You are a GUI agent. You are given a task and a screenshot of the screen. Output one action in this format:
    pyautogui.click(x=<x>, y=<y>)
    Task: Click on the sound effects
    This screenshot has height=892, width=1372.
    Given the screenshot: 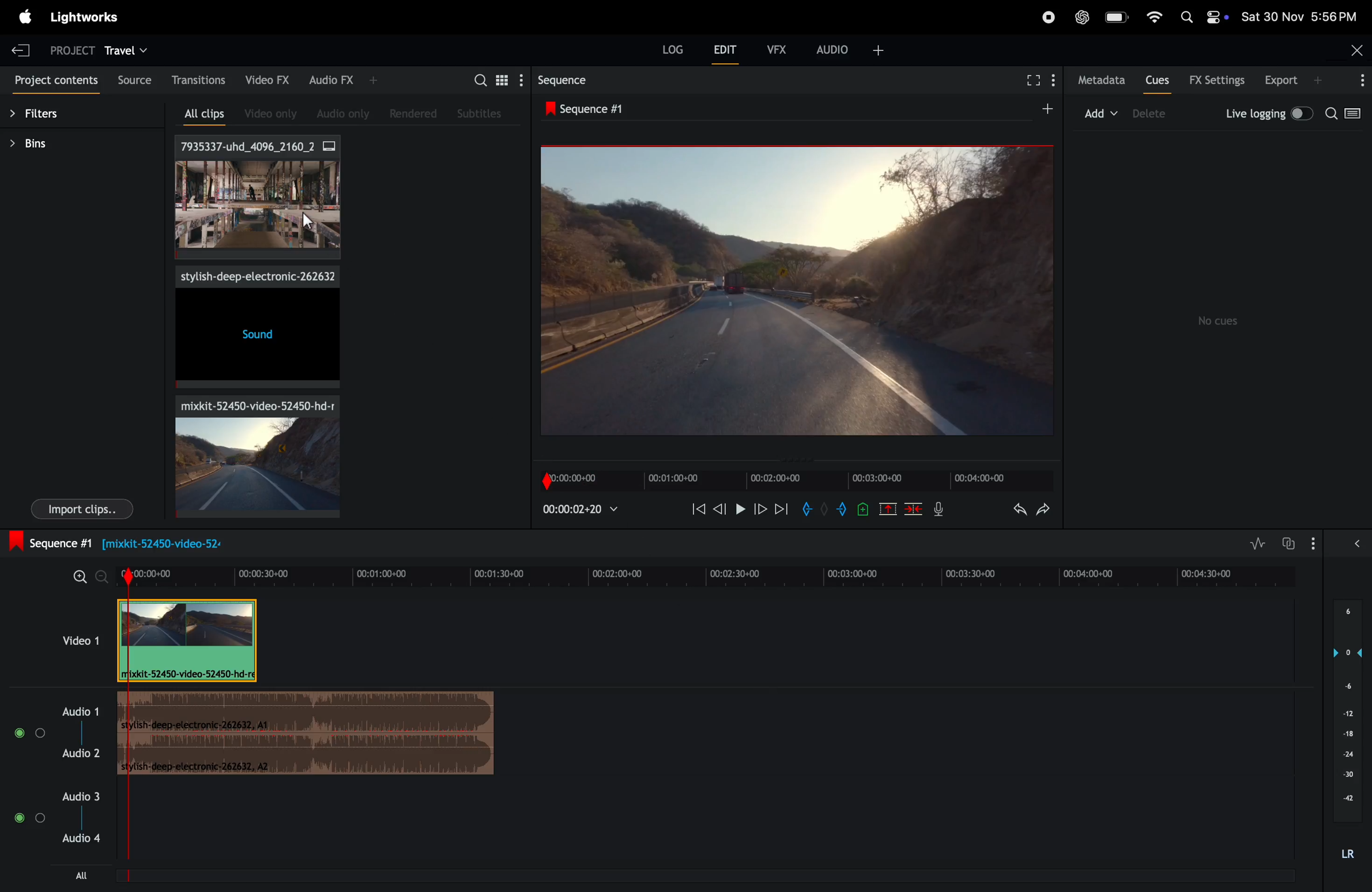 What is the action you would take?
    pyautogui.click(x=254, y=328)
    